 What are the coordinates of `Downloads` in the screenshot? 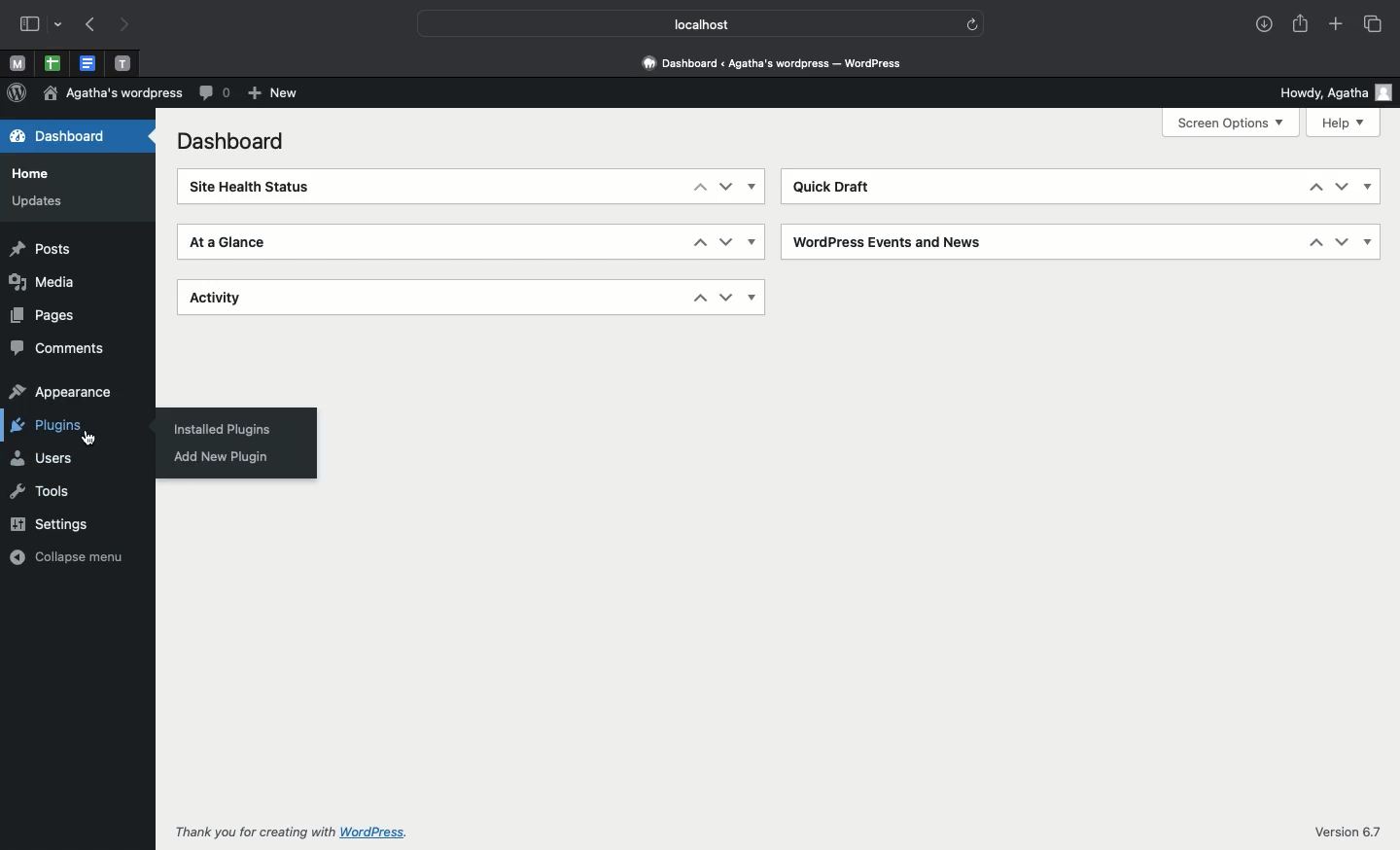 It's located at (1261, 26).